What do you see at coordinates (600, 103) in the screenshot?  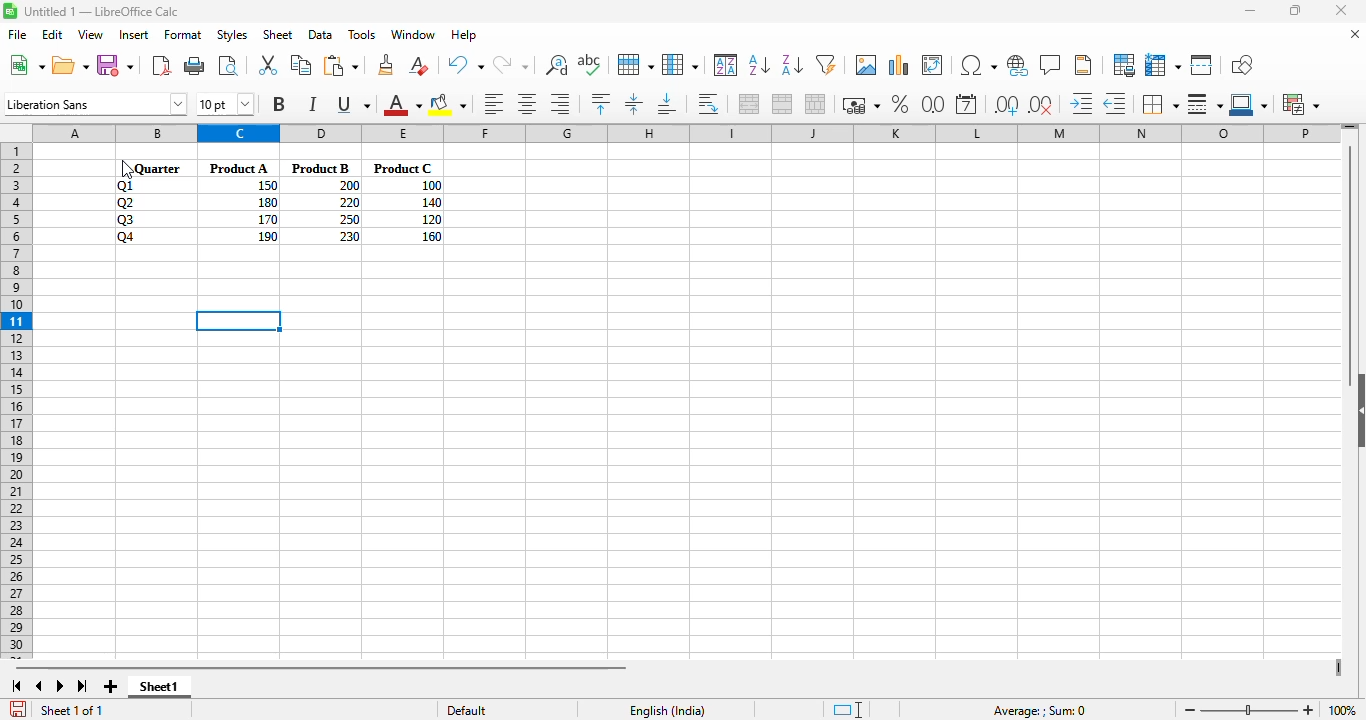 I see `align top` at bounding box center [600, 103].